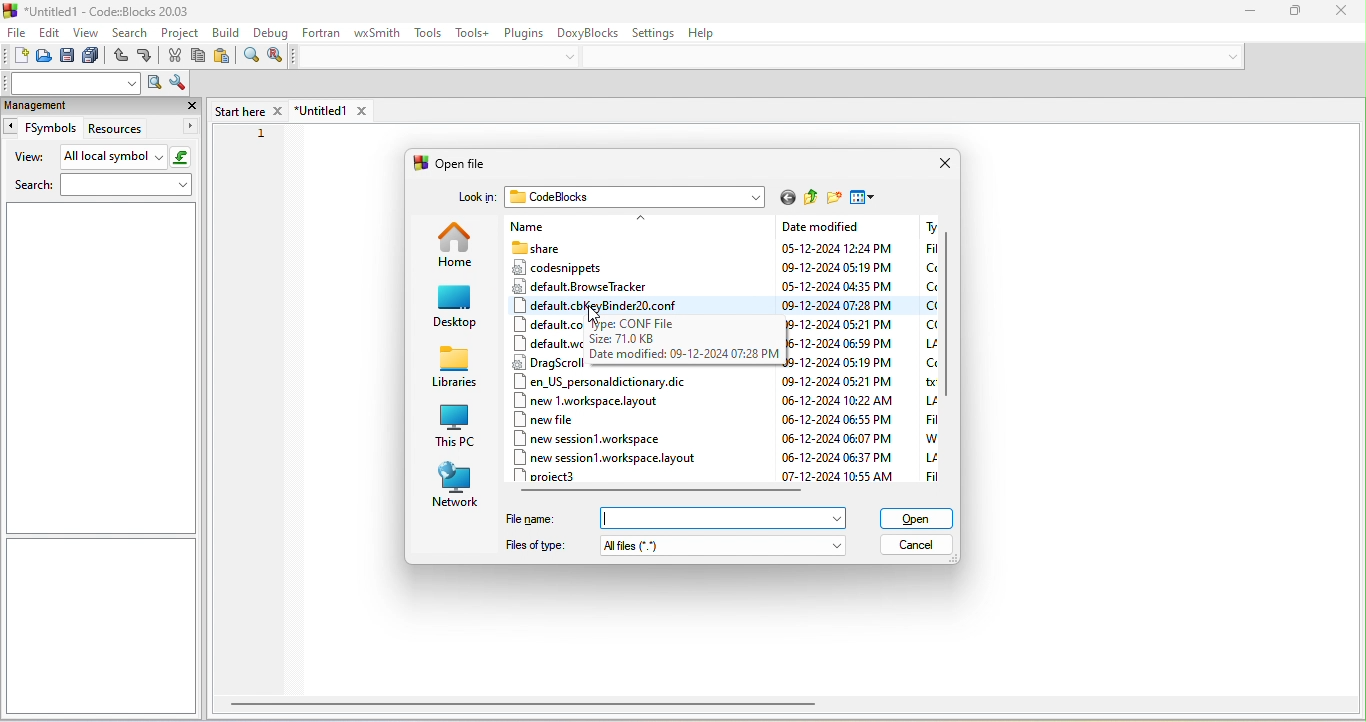 This screenshot has width=1366, height=722. What do you see at coordinates (17, 31) in the screenshot?
I see `file` at bounding box center [17, 31].